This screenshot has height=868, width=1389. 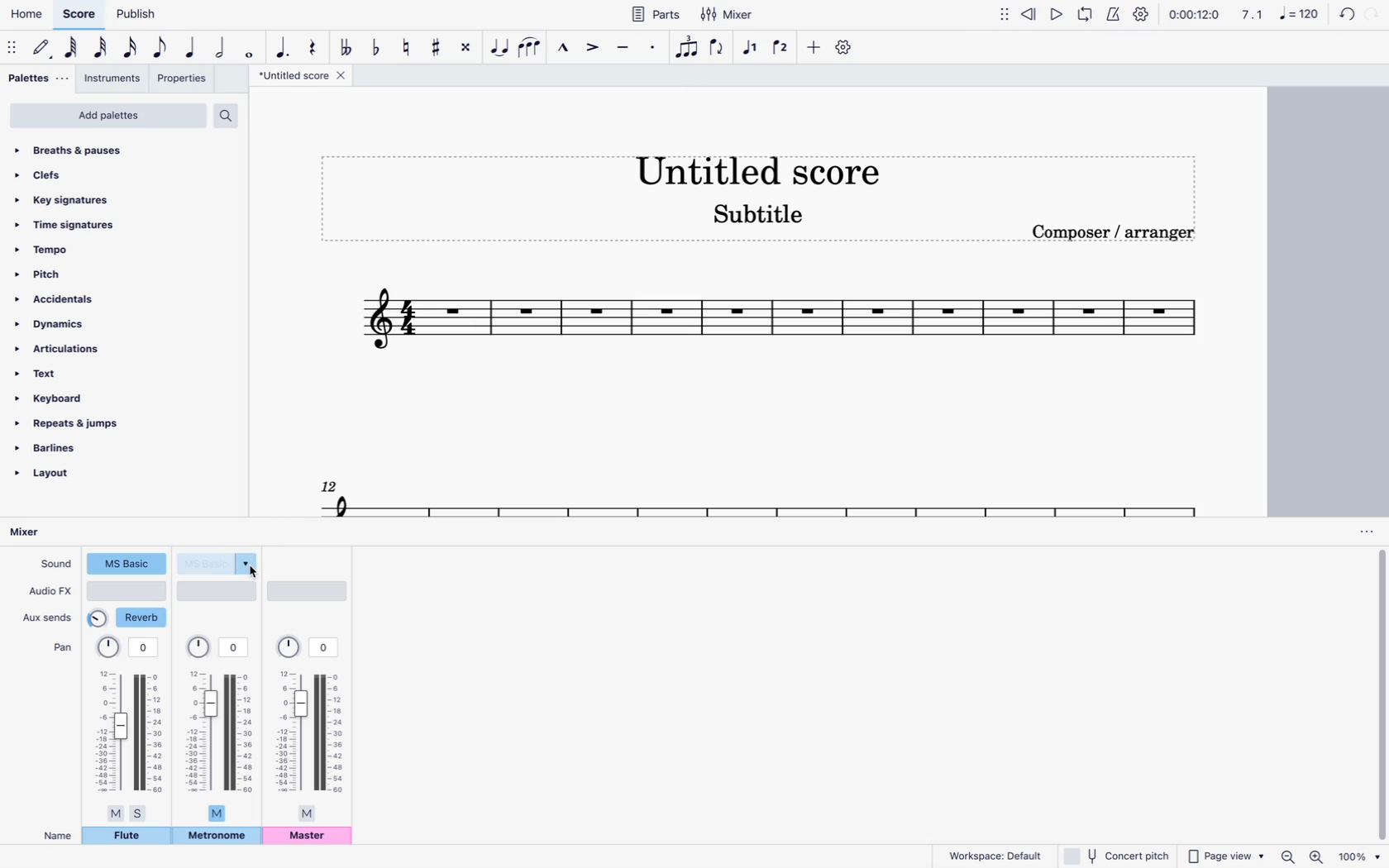 I want to click on score title, so click(x=758, y=165).